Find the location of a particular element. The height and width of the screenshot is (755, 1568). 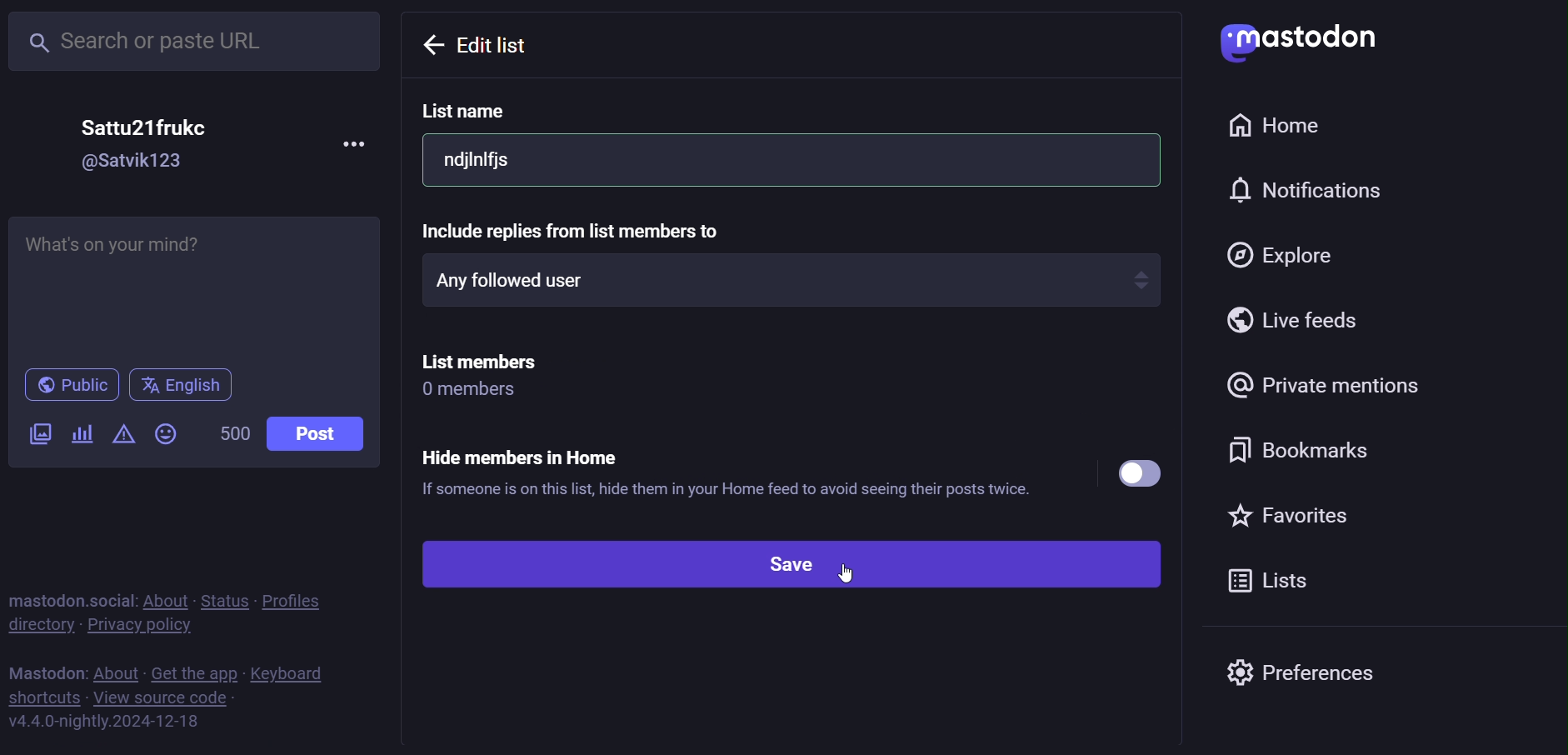

bookmark is located at coordinates (1307, 453).